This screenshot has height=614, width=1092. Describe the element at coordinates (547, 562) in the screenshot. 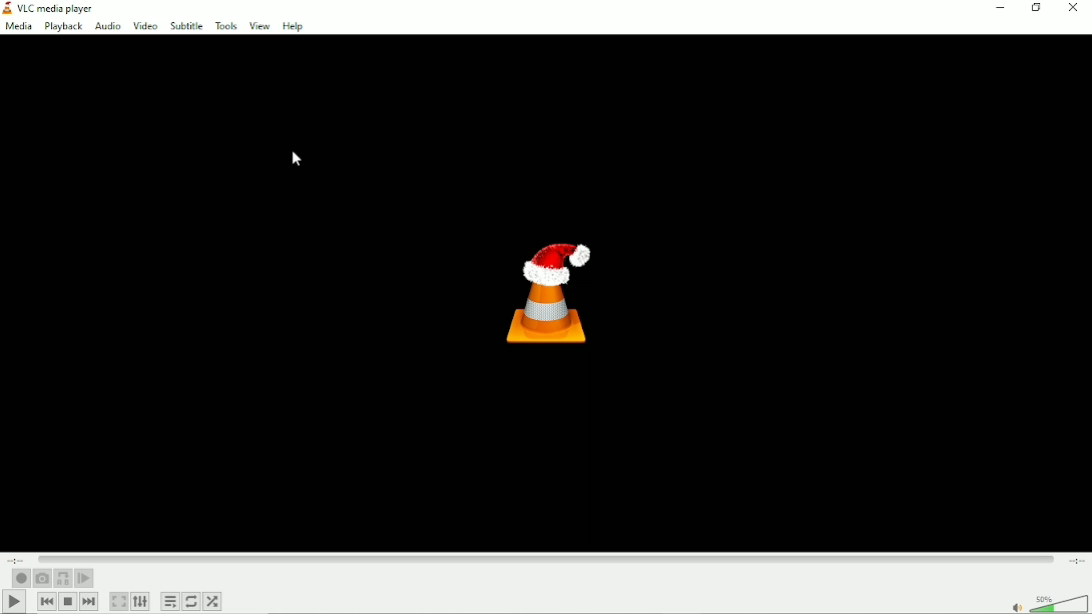

I see `Play duration` at that location.